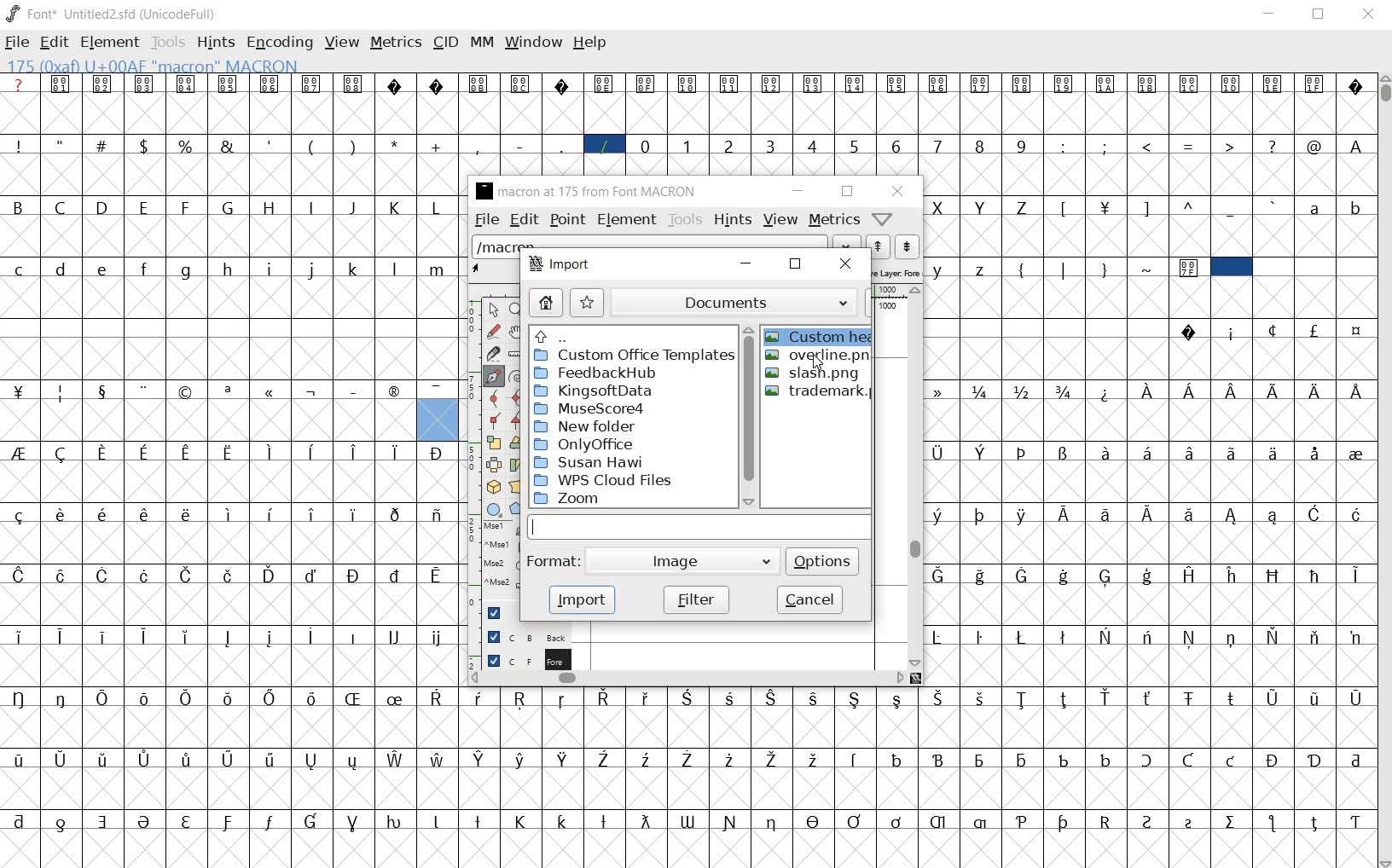 Image resolution: width=1392 pixels, height=868 pixels. I want to click on Symbol, so click(63, 85).